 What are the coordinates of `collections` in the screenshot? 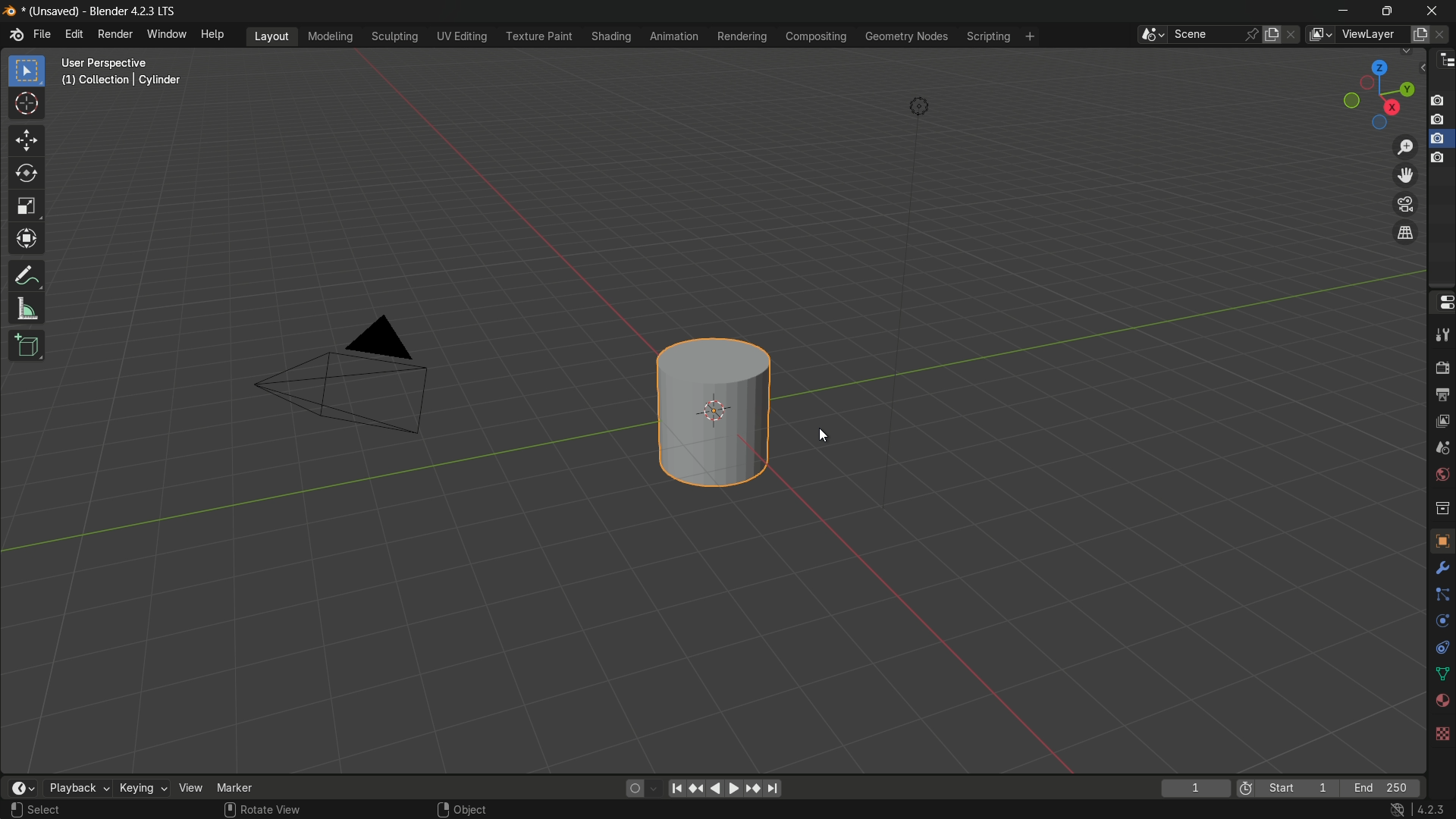 It's located at (1442, 508).